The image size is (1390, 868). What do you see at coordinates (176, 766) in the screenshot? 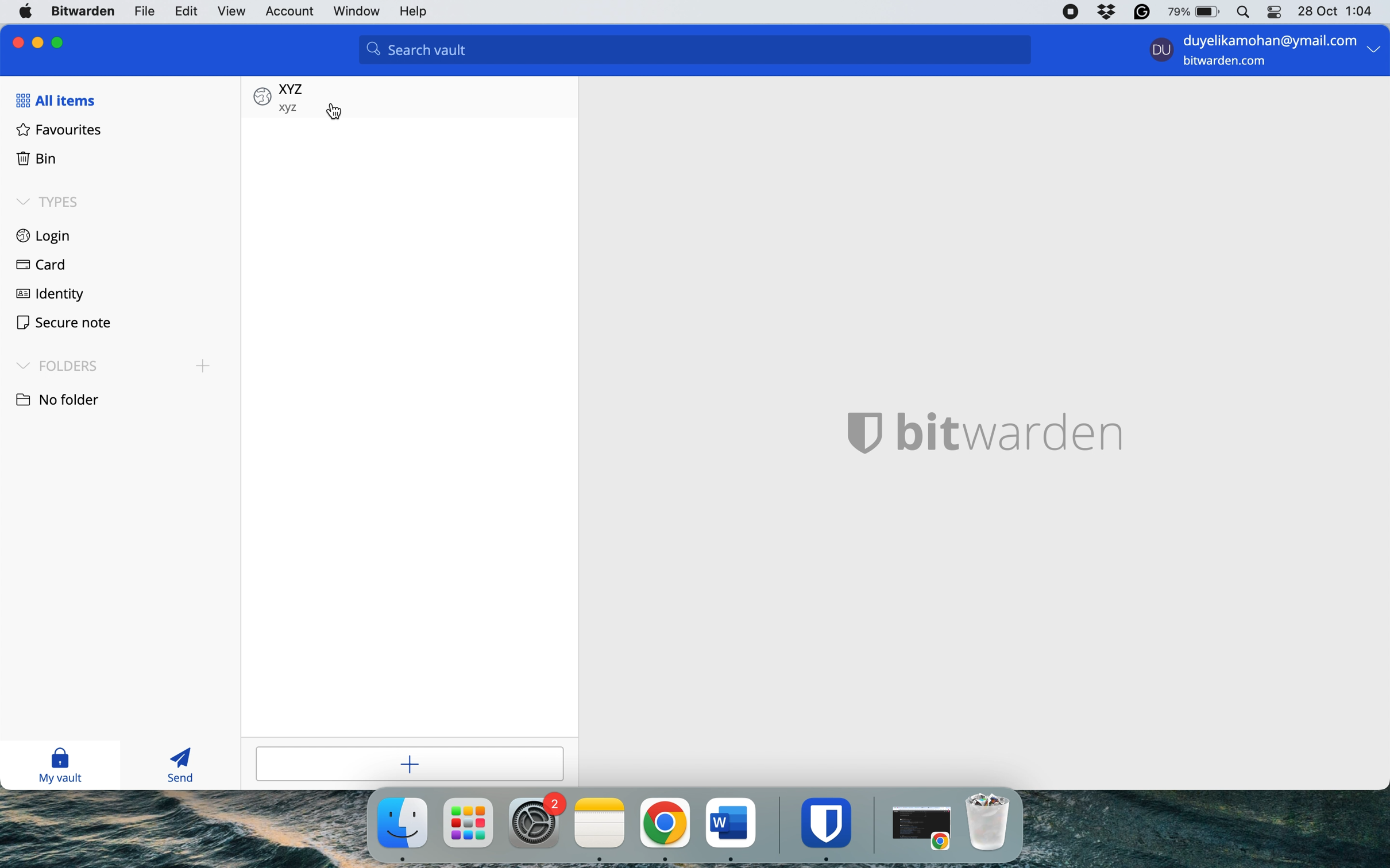
I see `send` at bounding box center [176, 766].